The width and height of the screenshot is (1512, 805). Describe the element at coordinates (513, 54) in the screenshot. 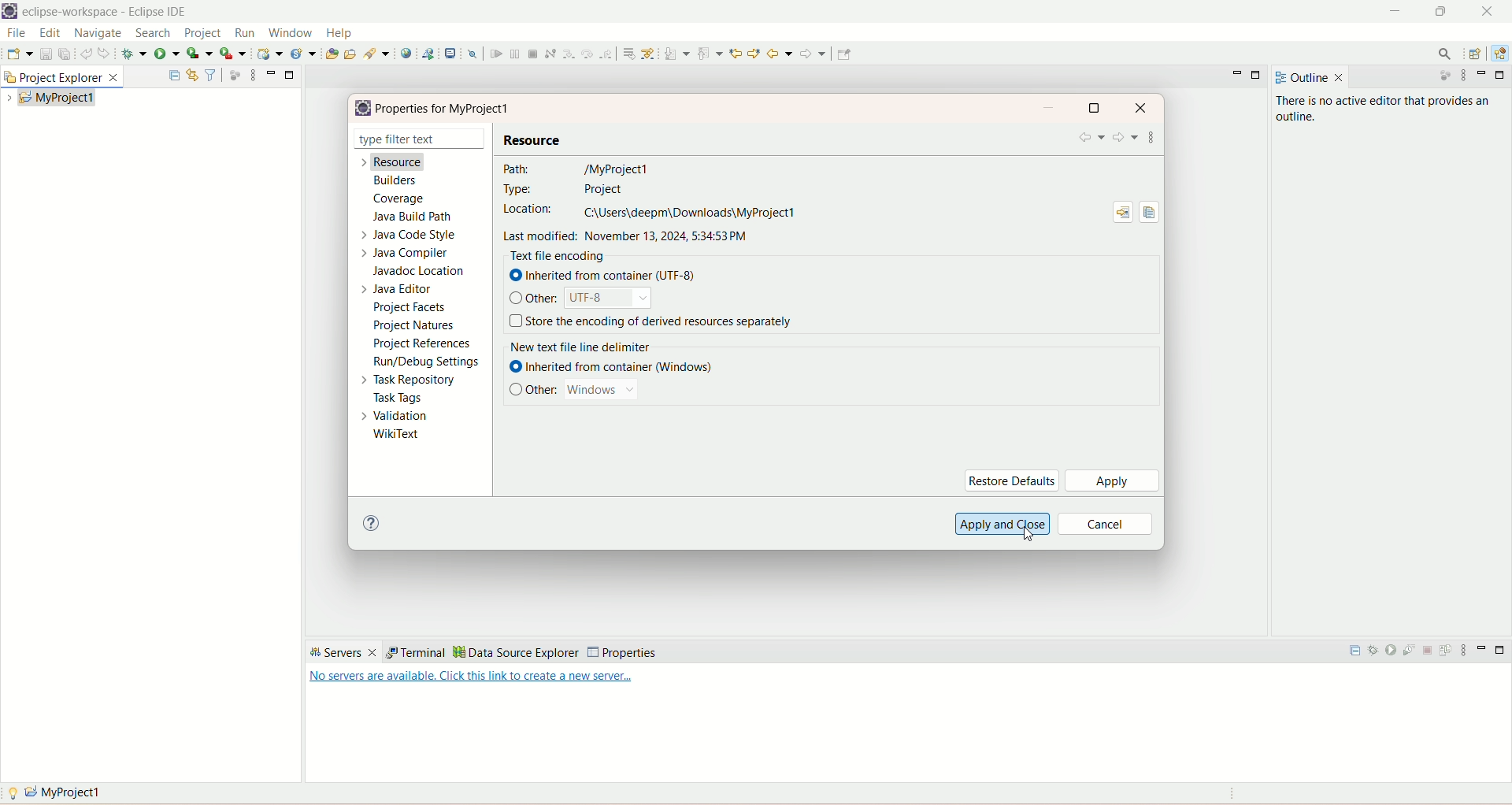

I see `suspend` at that location.